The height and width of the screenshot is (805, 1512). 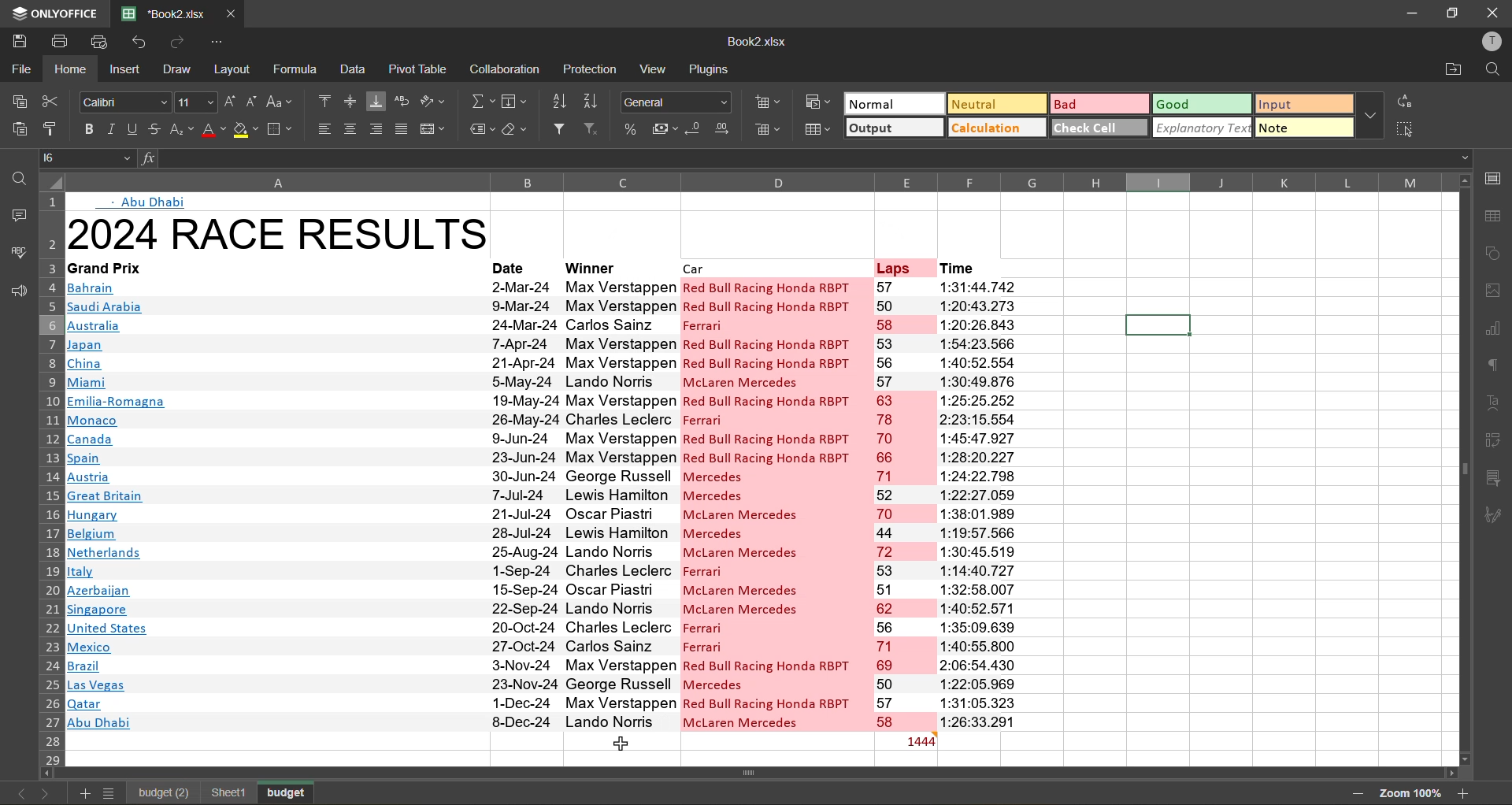 What do you see at coordinates (524, 502) in the screenshot?
I see `date` at bounding box center [524, 502].